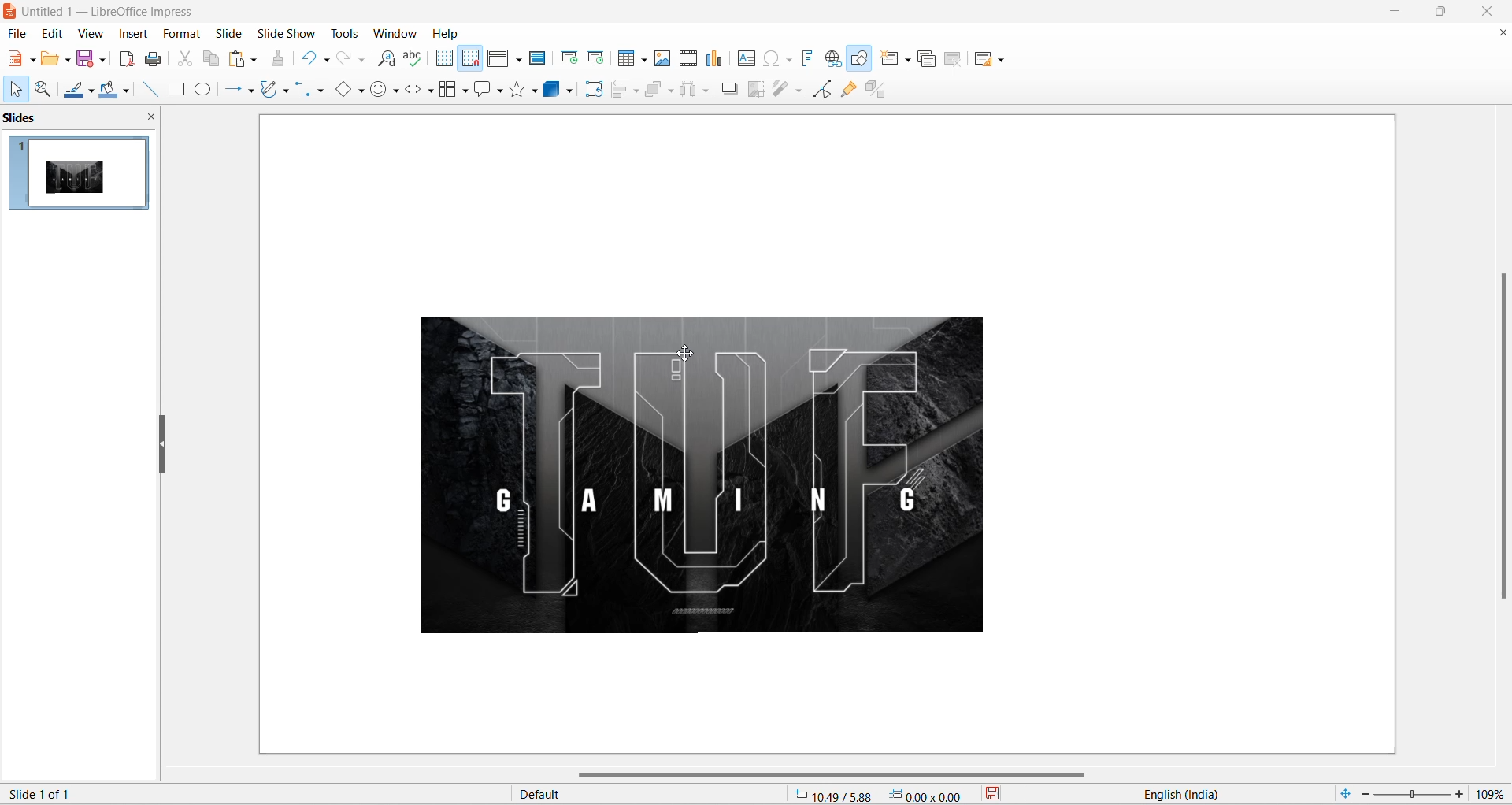 The image size is (1512, 805). I want to click on edit, so click(54, 33).